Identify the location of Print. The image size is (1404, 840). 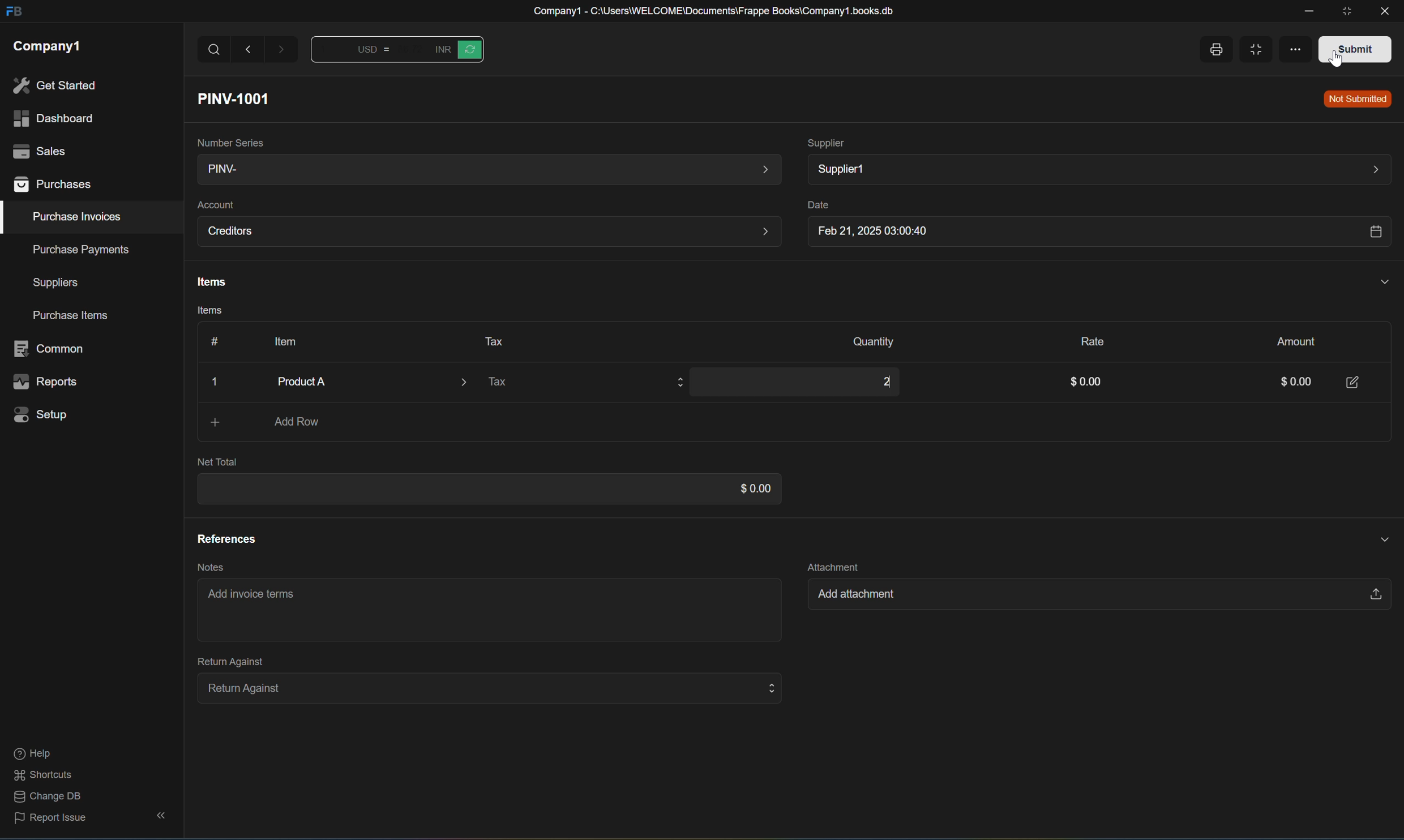
(1217, 49).